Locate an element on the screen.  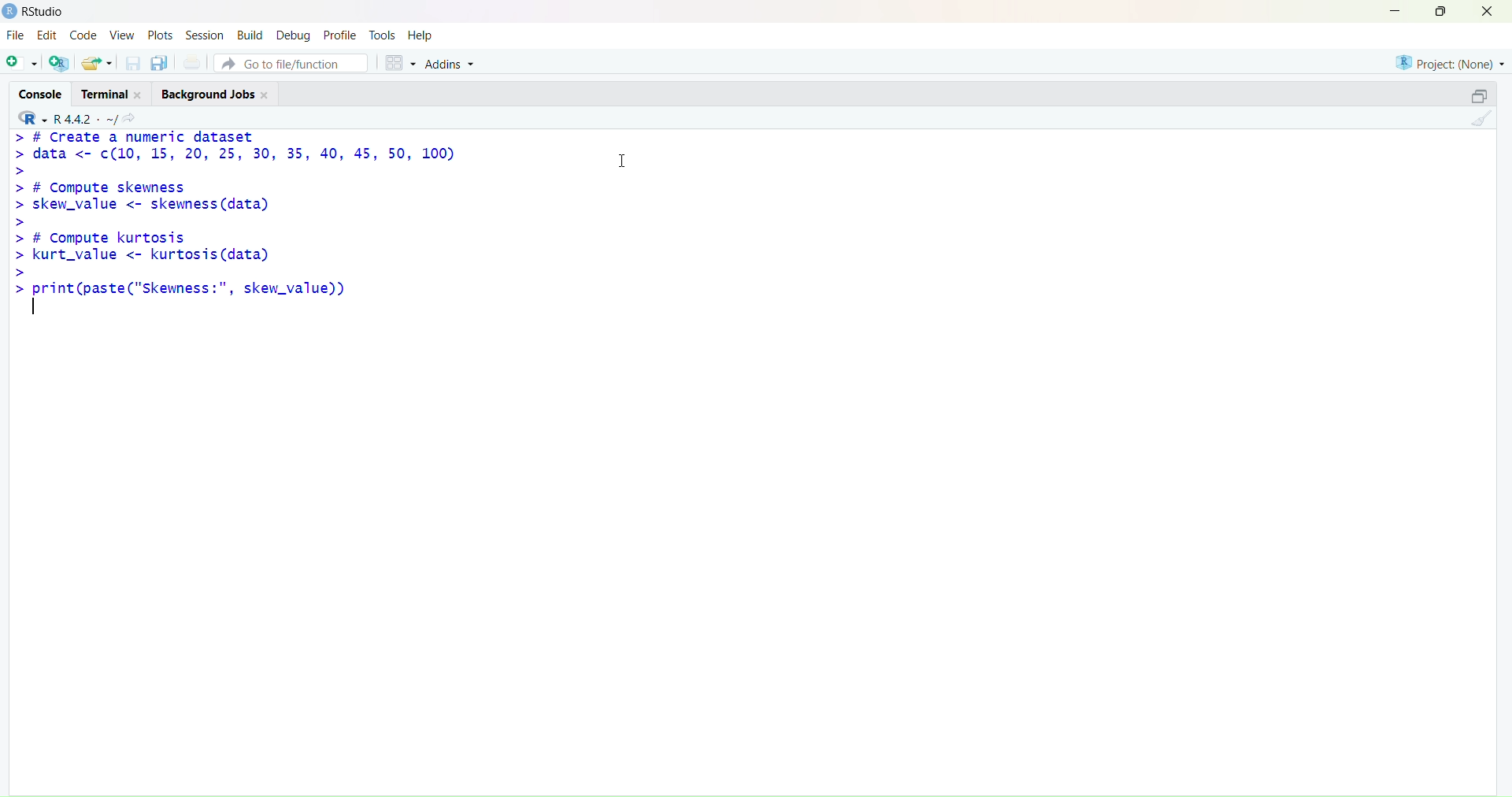
Profile is located at coordinates (340, 32).